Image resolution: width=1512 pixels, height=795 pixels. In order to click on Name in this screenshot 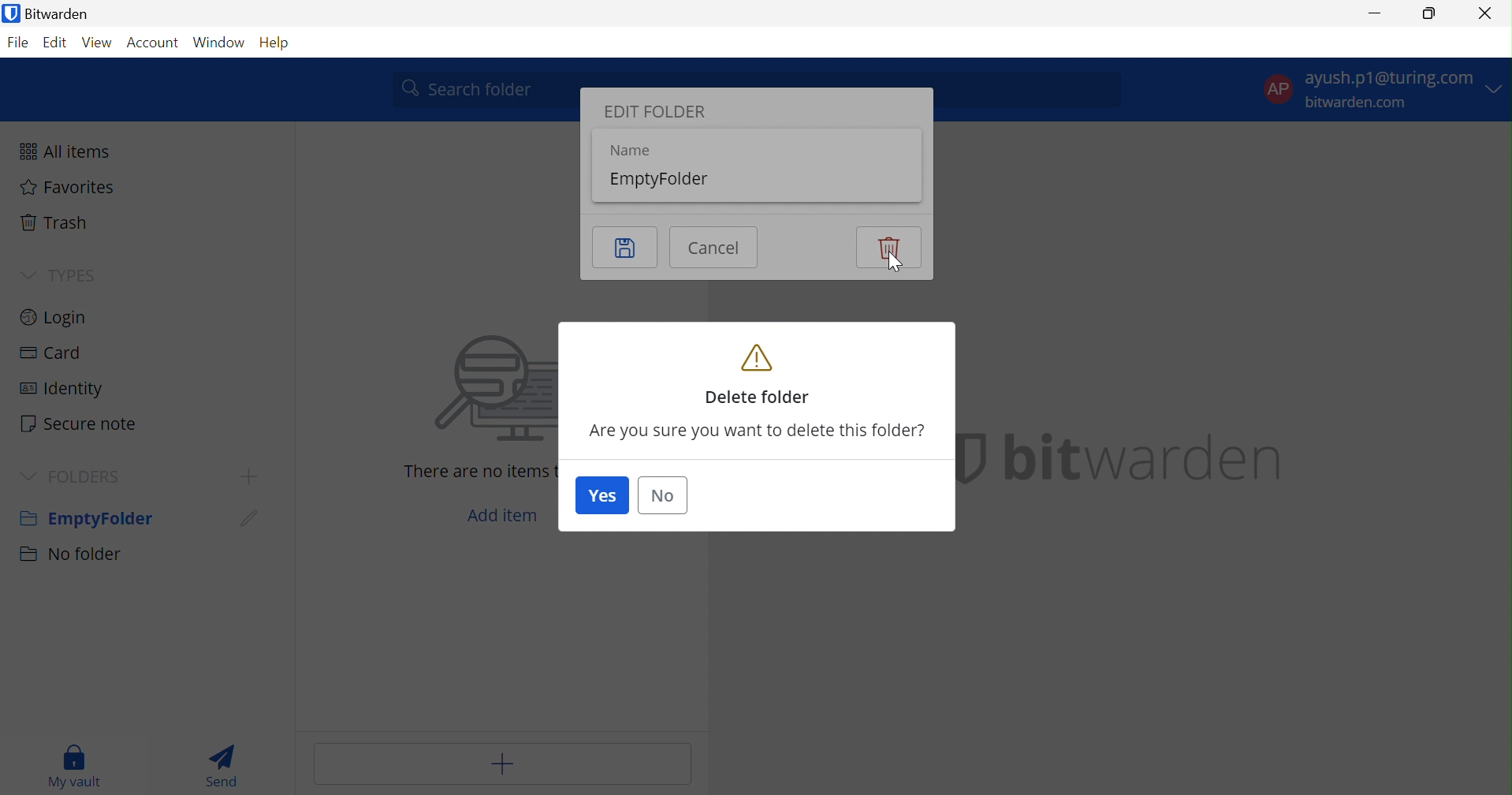, I will do `click(627, 151)`.